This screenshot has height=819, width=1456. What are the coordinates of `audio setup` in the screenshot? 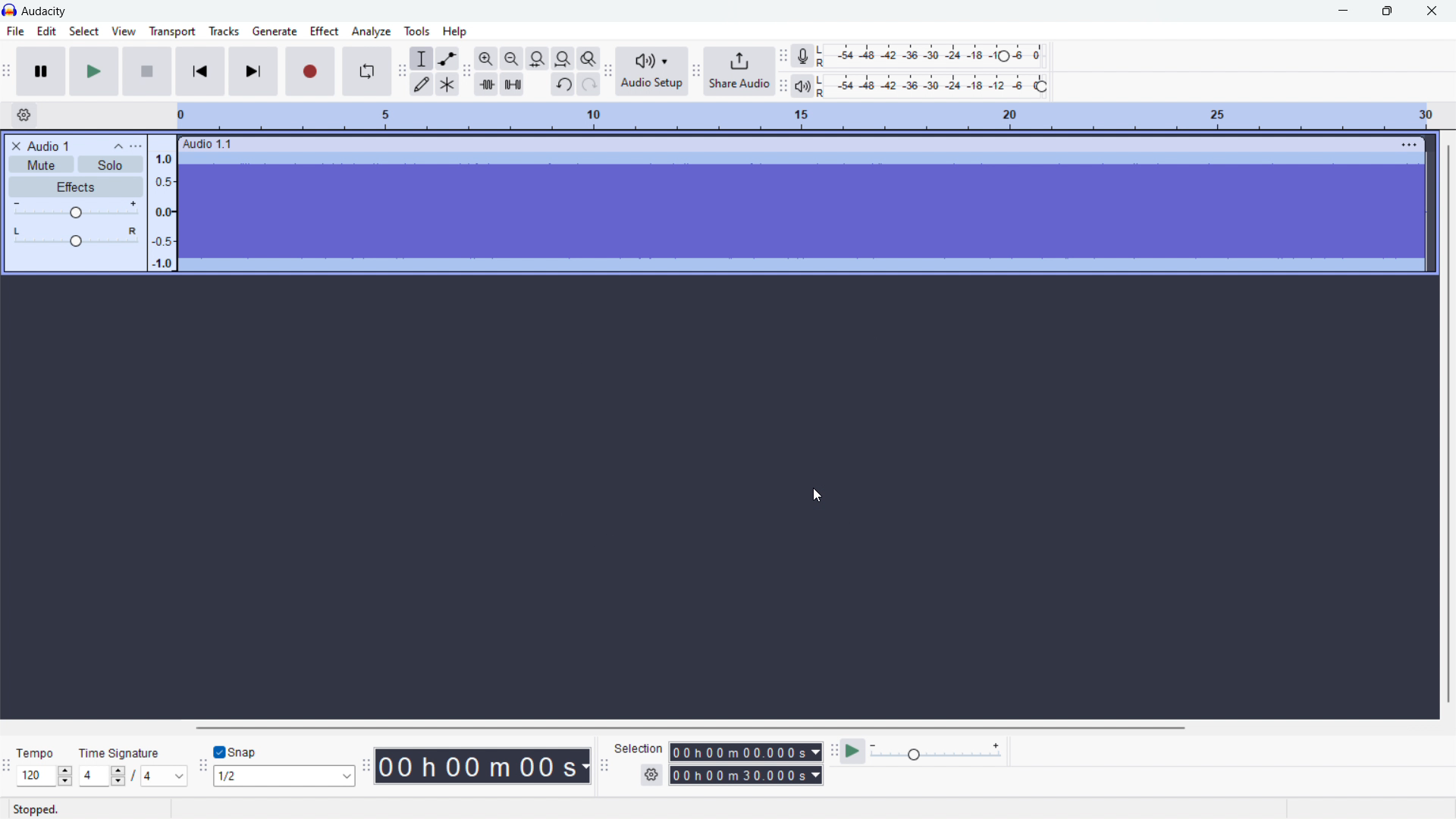 It's located at (651, 71).